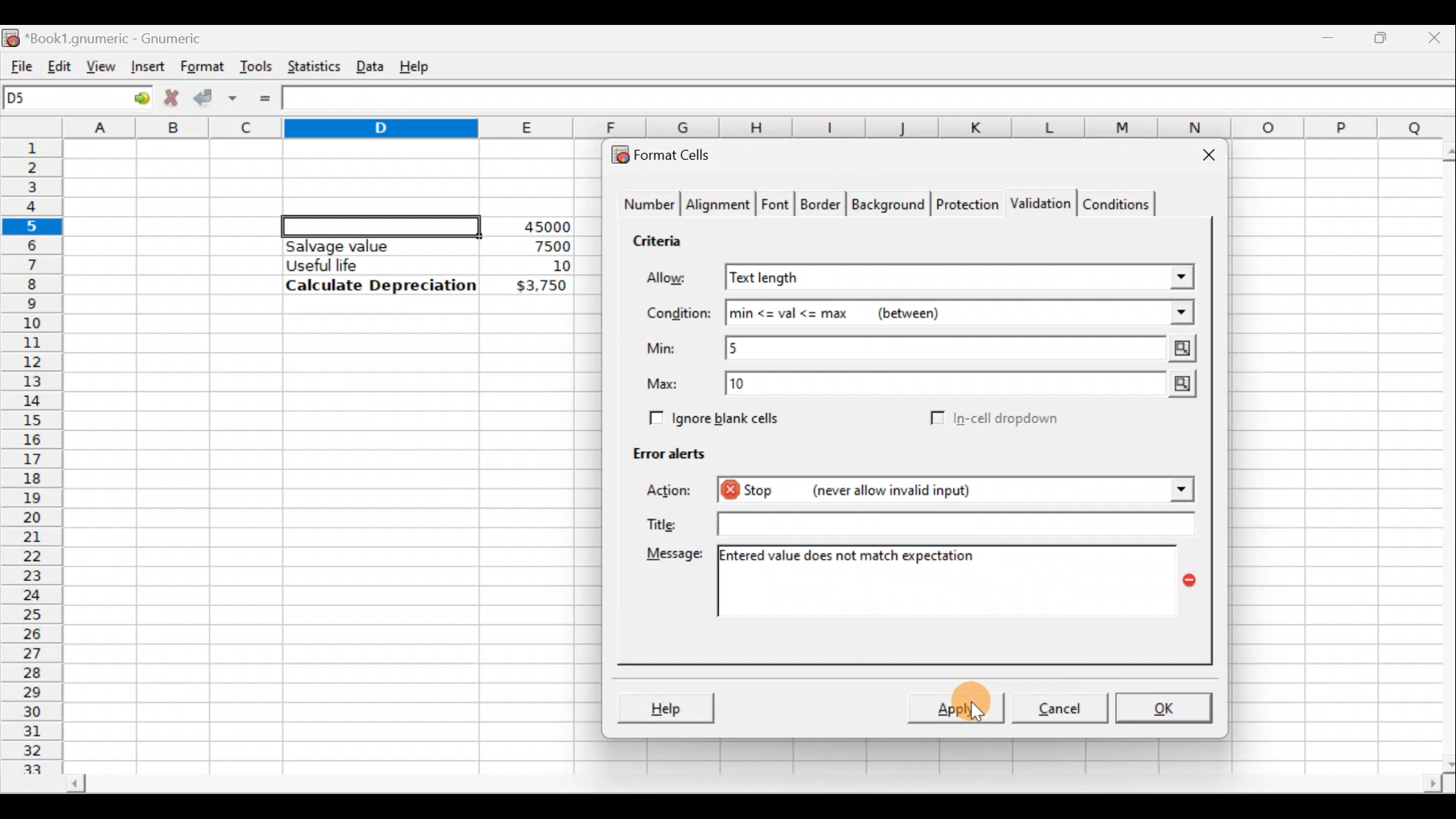 The image size is (1456, 819). What do you see at coordinates (665, 707) in the screenshot?
I see `Help` at bounding box center [665, 707].